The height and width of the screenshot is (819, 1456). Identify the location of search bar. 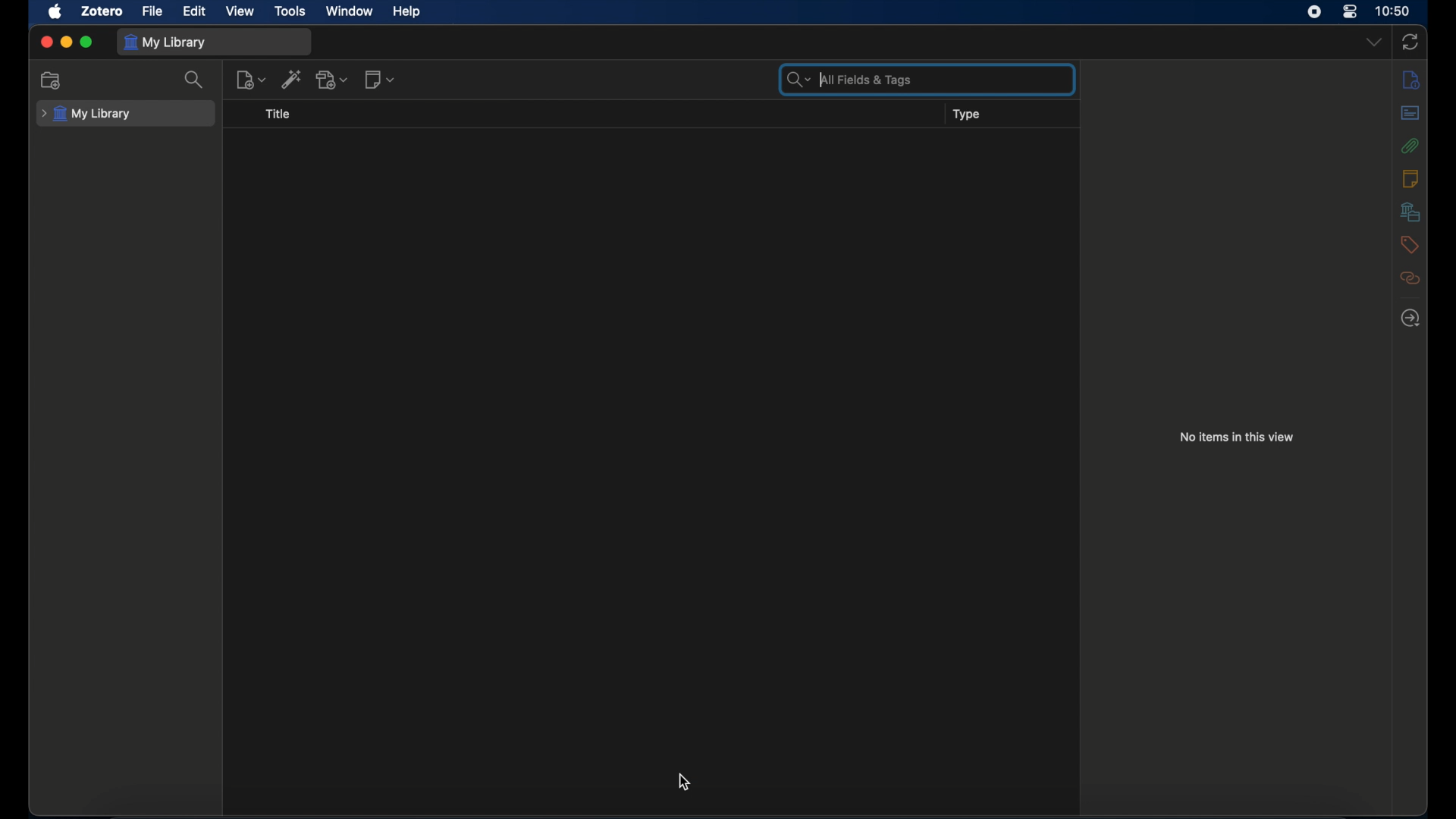
(847, 79).